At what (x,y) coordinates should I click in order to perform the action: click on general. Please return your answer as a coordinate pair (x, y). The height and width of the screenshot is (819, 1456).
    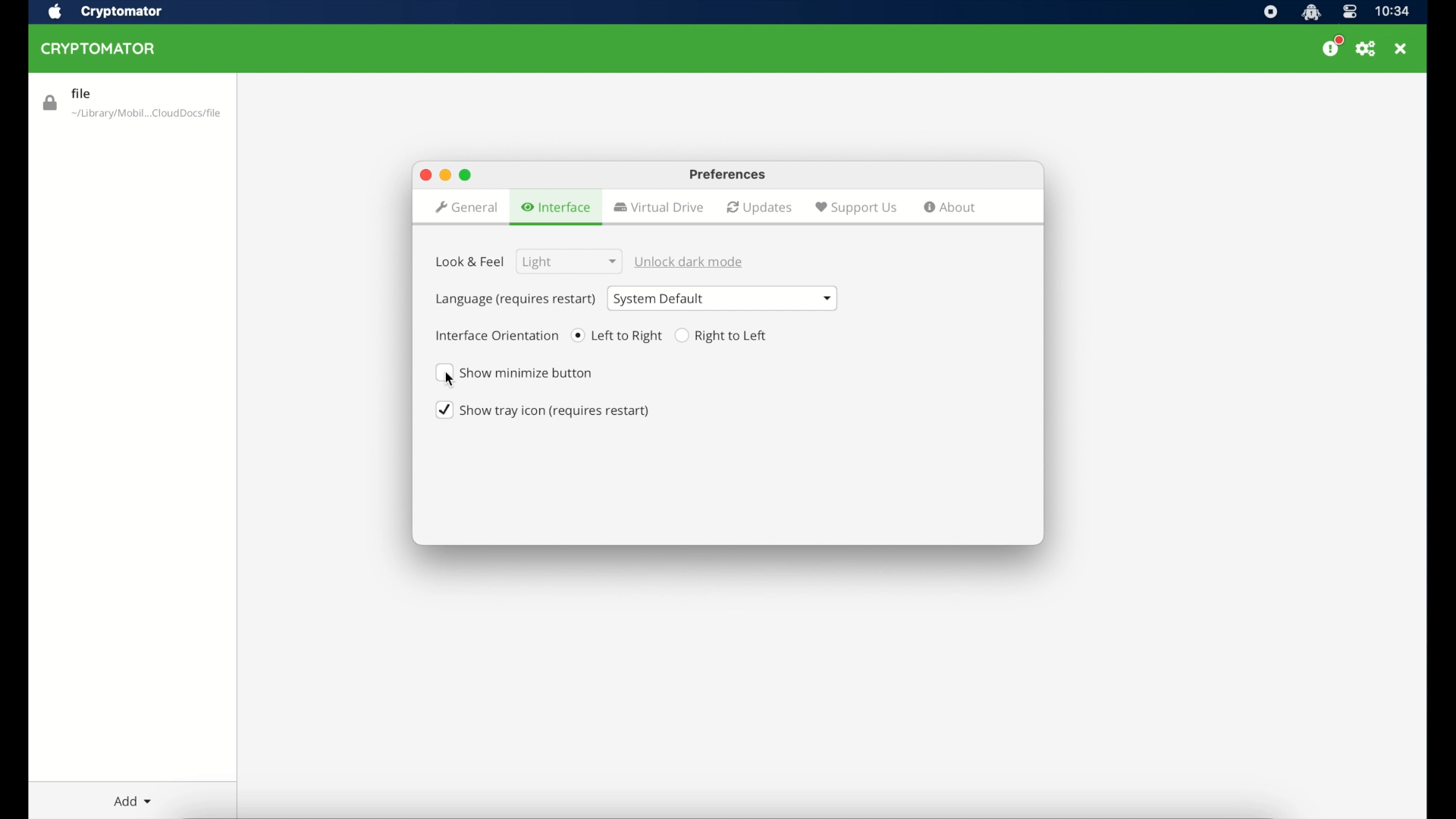
    Looking at the image, I should click on (466, 209).